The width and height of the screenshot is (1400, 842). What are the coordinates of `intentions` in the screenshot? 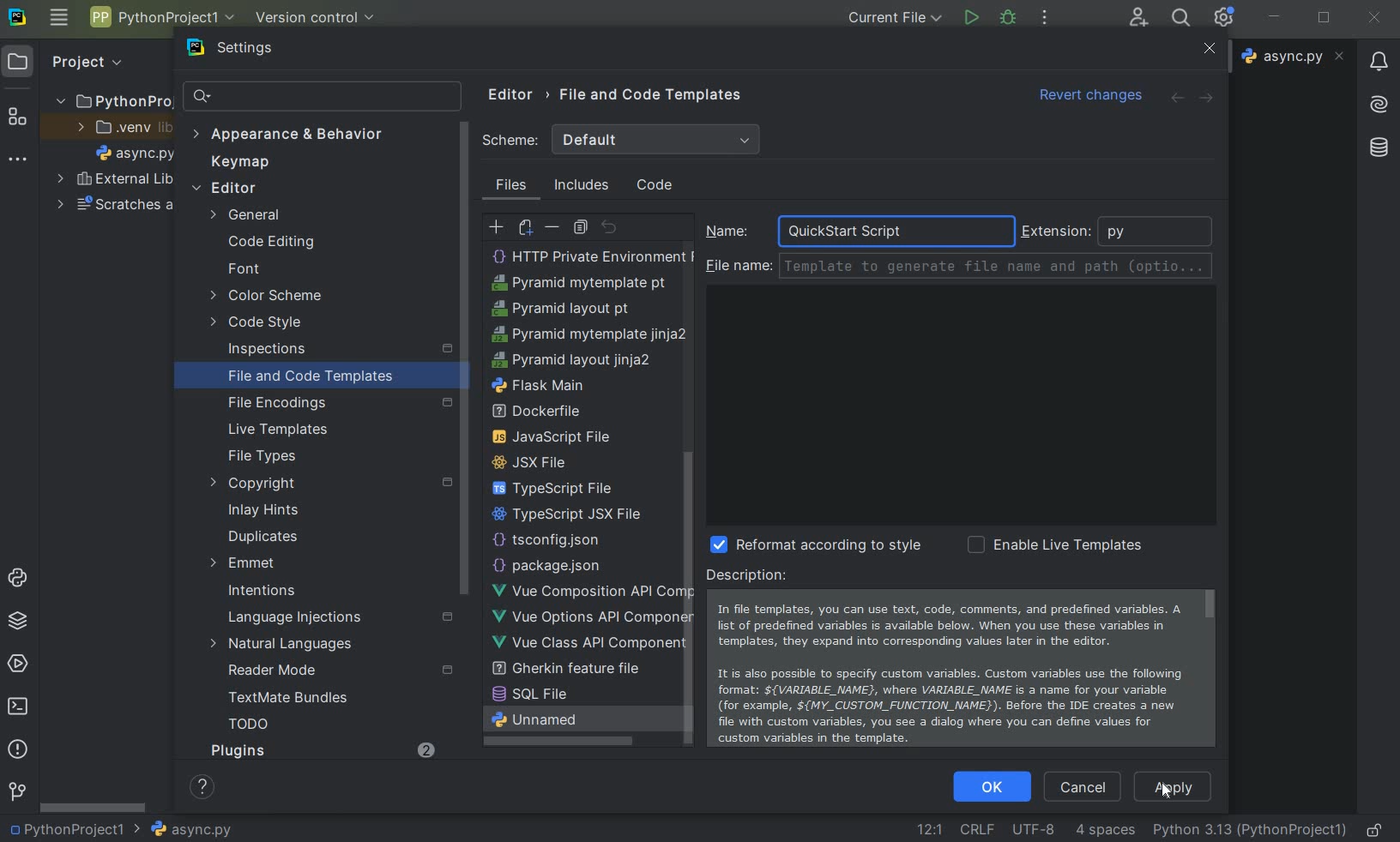 It's located at (277, 592).